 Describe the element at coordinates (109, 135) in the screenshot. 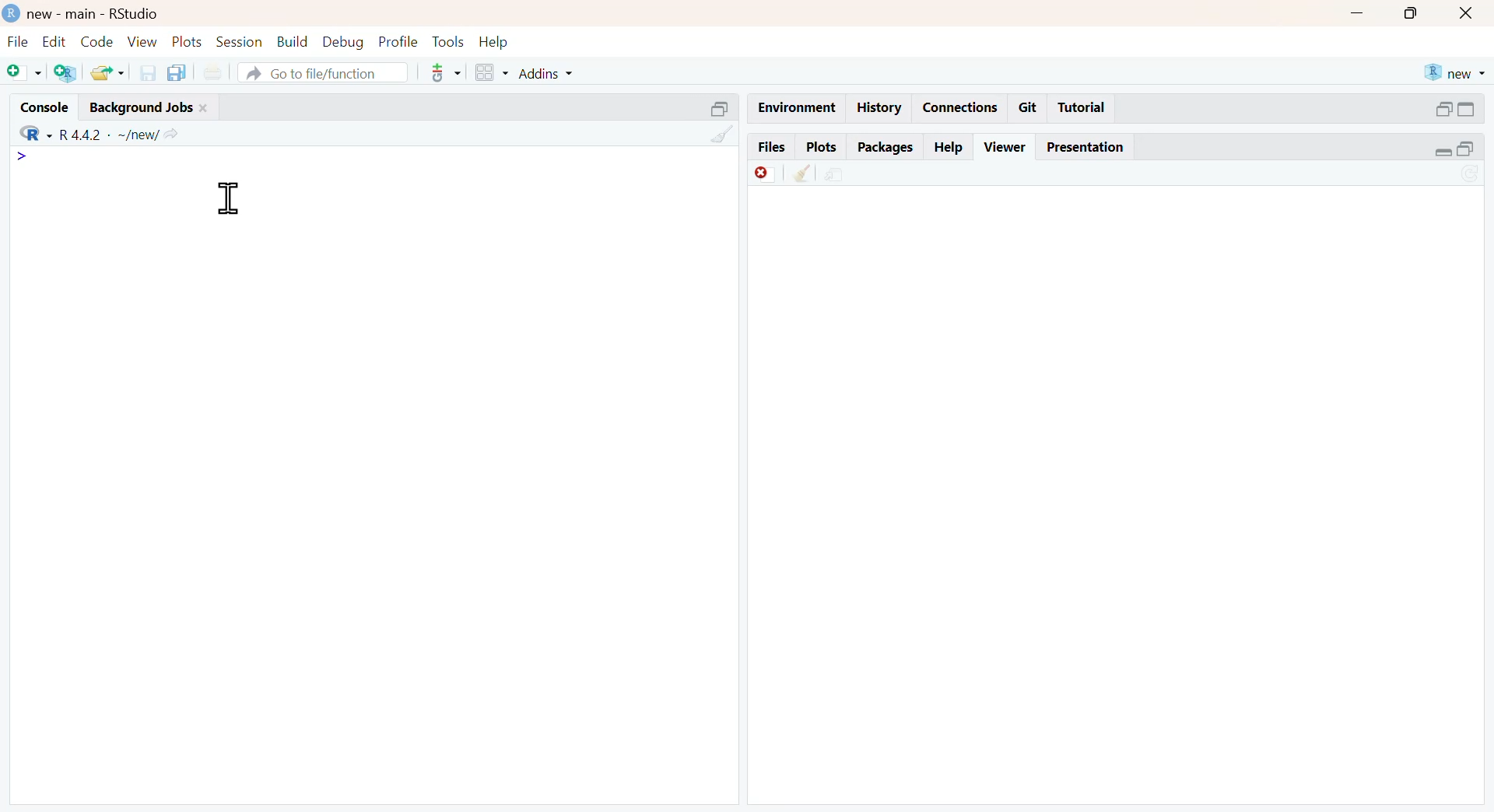

I see `R 4.4.2 ~/new/` at that location.